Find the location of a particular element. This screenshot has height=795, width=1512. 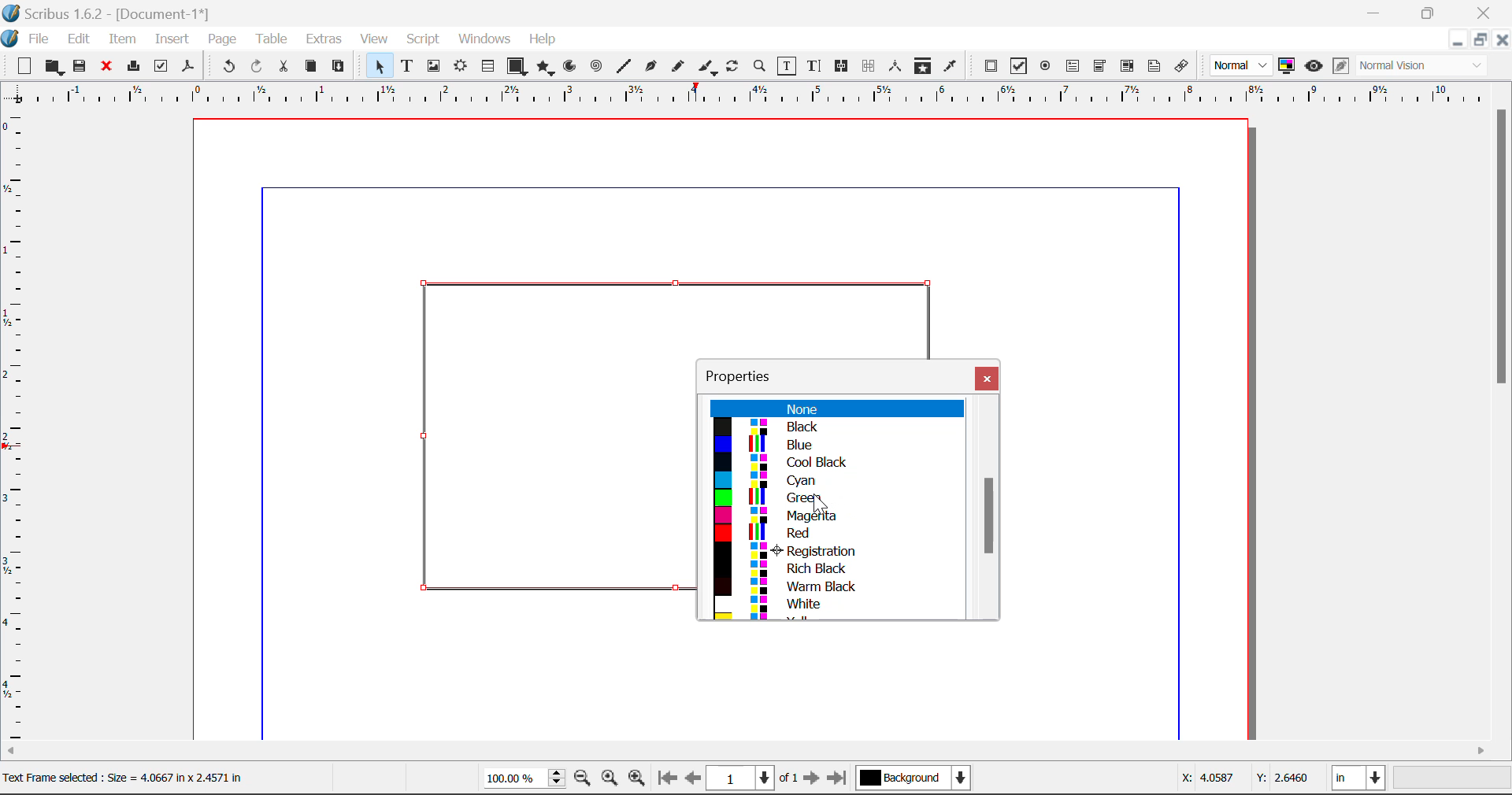

Close is located at coordinates (987, 378).